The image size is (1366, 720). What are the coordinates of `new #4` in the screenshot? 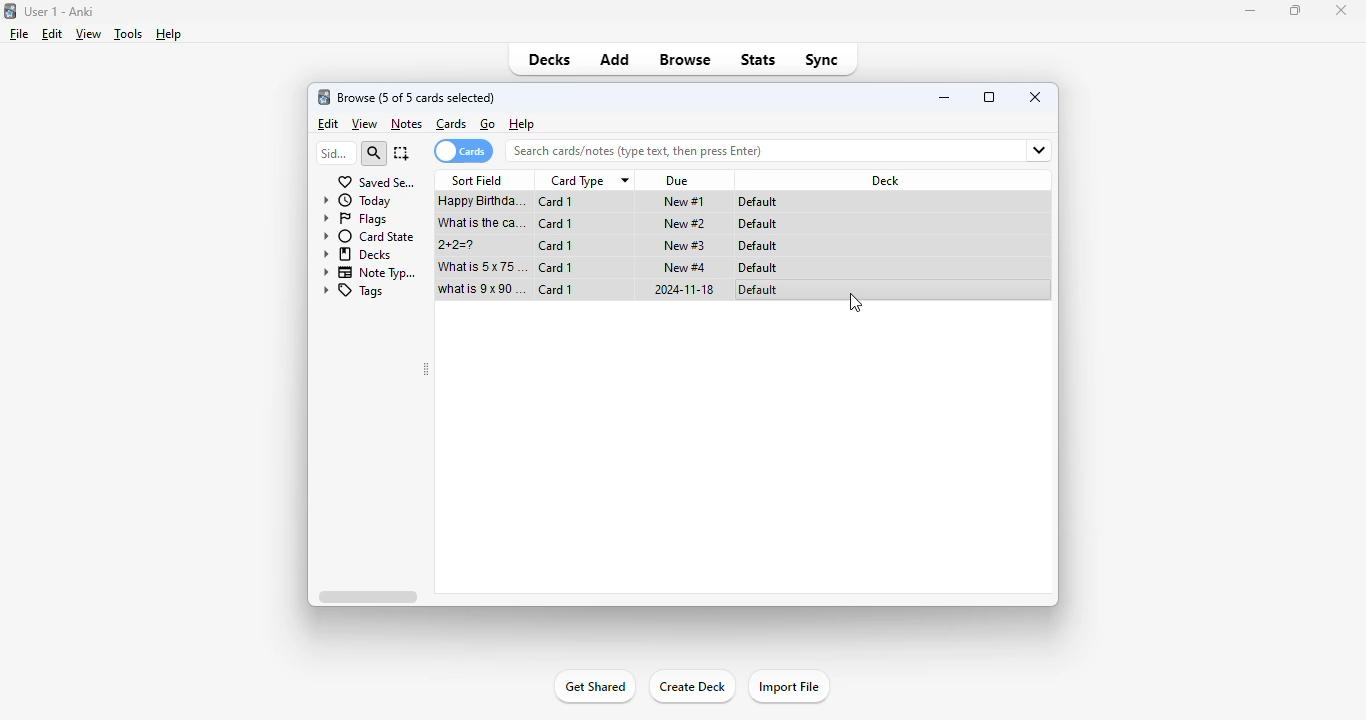 It's located at (685, 266).